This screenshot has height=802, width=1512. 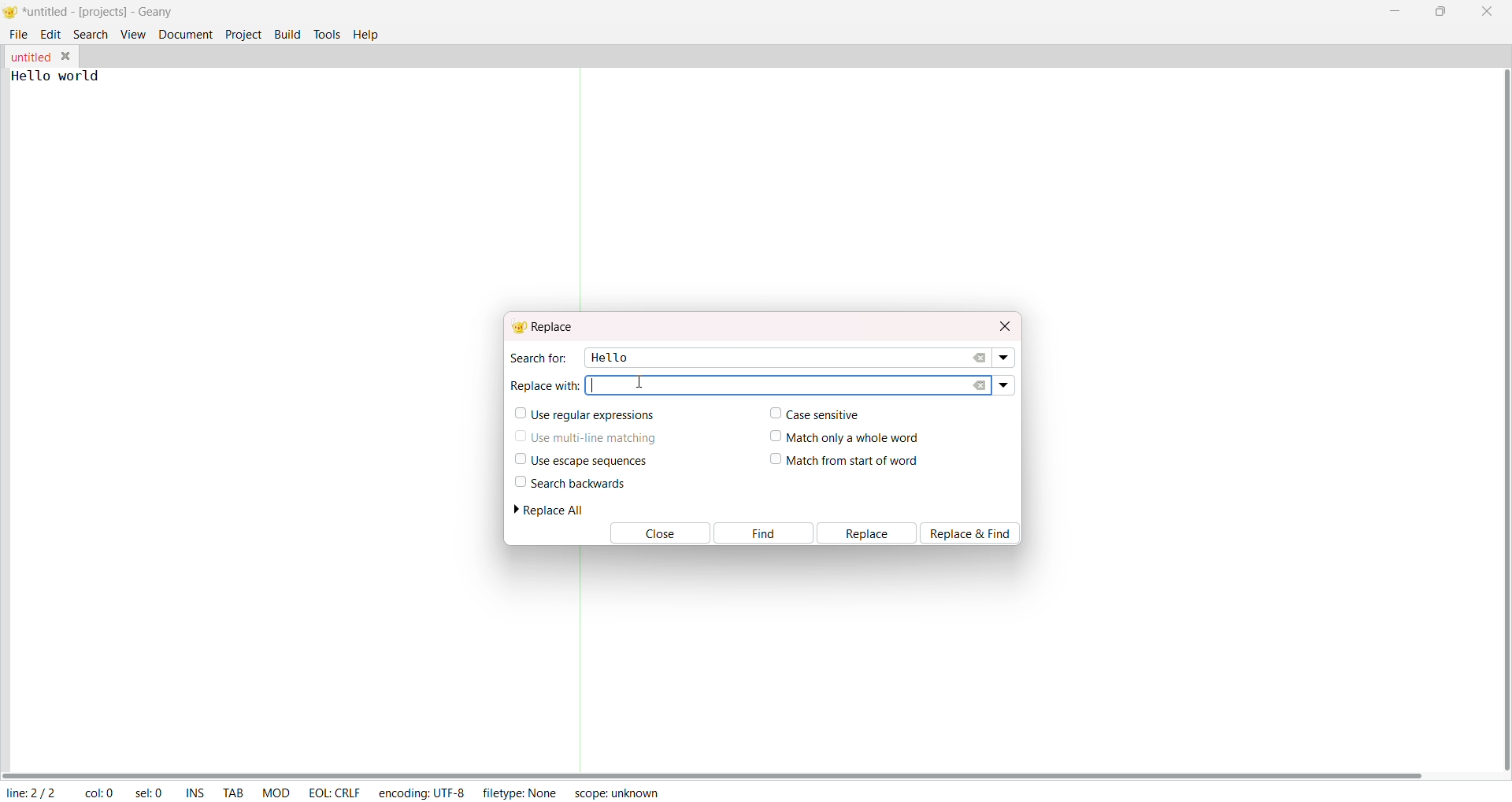 I want to click on Close, so click(x=658, y=534).